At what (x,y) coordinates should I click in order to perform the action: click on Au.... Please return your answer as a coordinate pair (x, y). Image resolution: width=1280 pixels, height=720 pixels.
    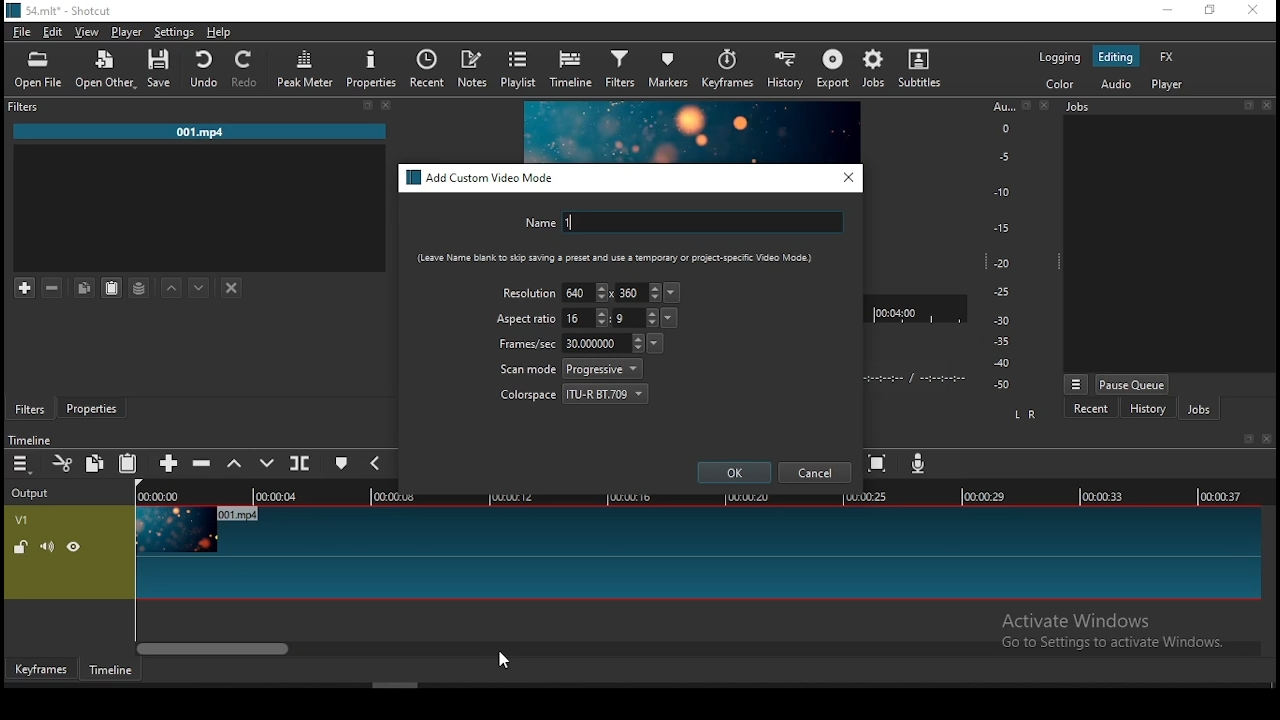
    Looking at the image, I should click on (1000, 106).